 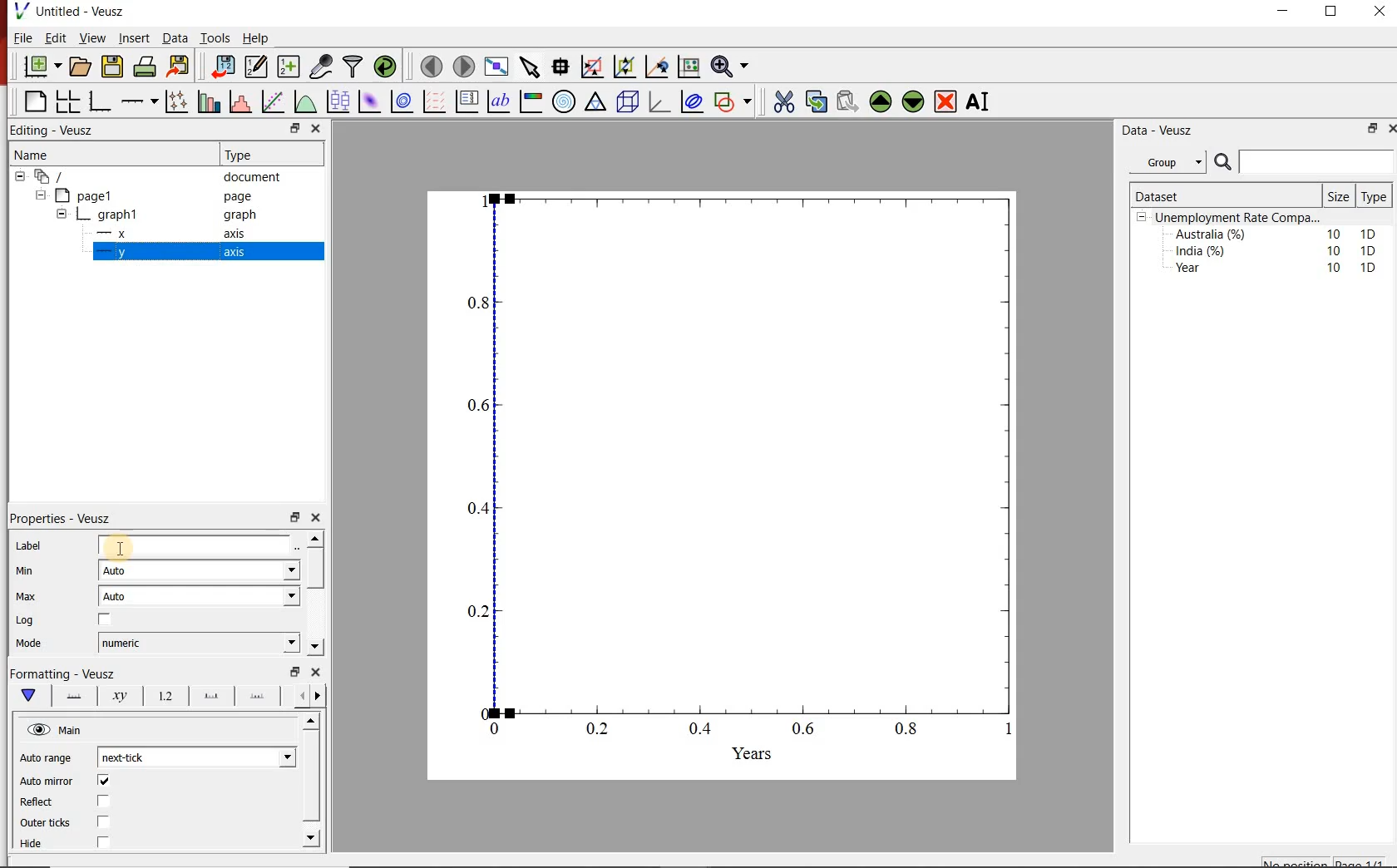 What do you see at coordinates (19, 37) in the screenshot?
I see `| File` at bounding box center [19, 37].